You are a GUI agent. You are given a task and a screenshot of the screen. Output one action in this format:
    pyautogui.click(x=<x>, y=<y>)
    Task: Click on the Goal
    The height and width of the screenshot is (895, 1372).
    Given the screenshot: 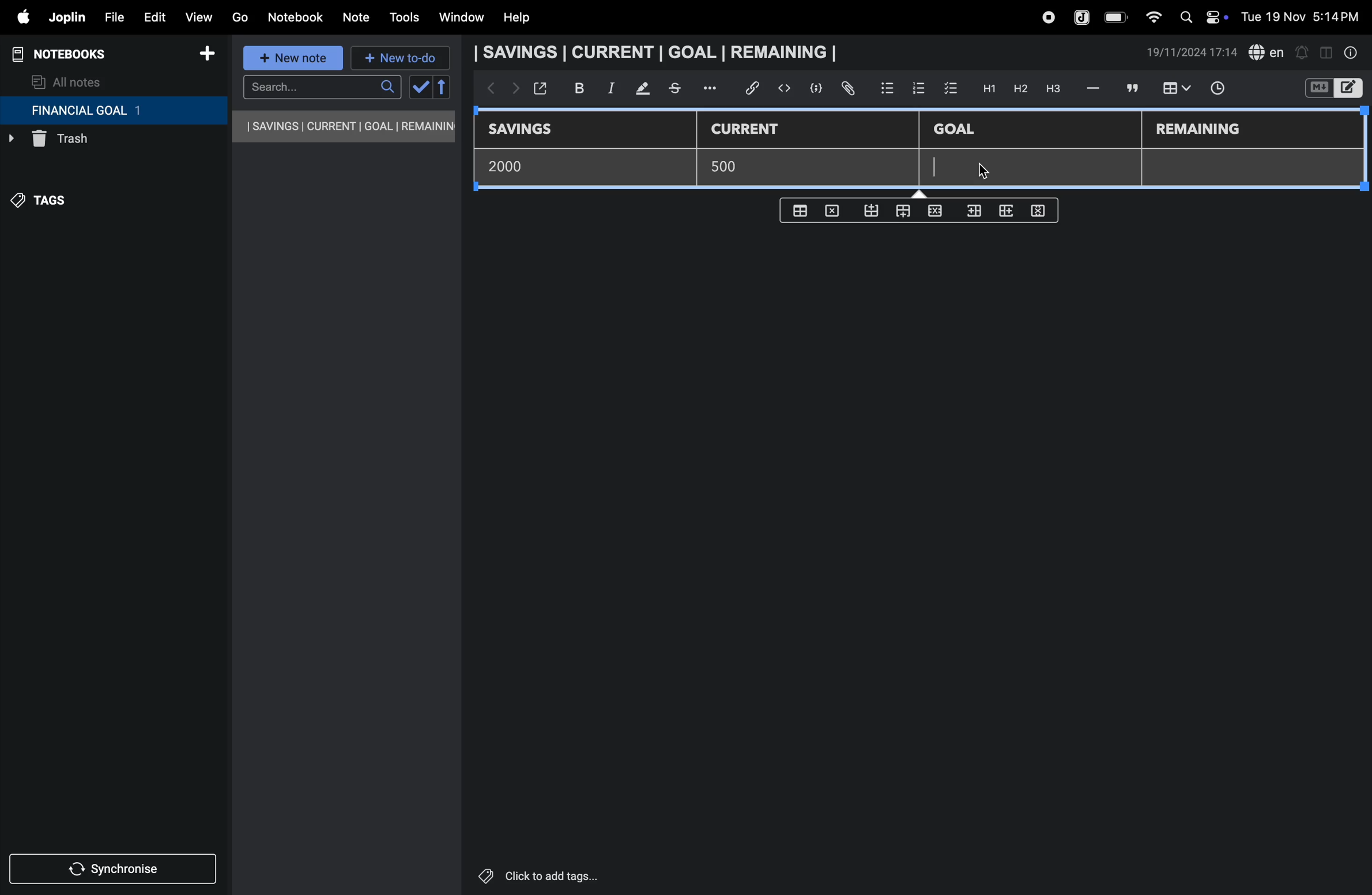 What is the action you would take?
    pyautogui.click(x=962, y=130)
    